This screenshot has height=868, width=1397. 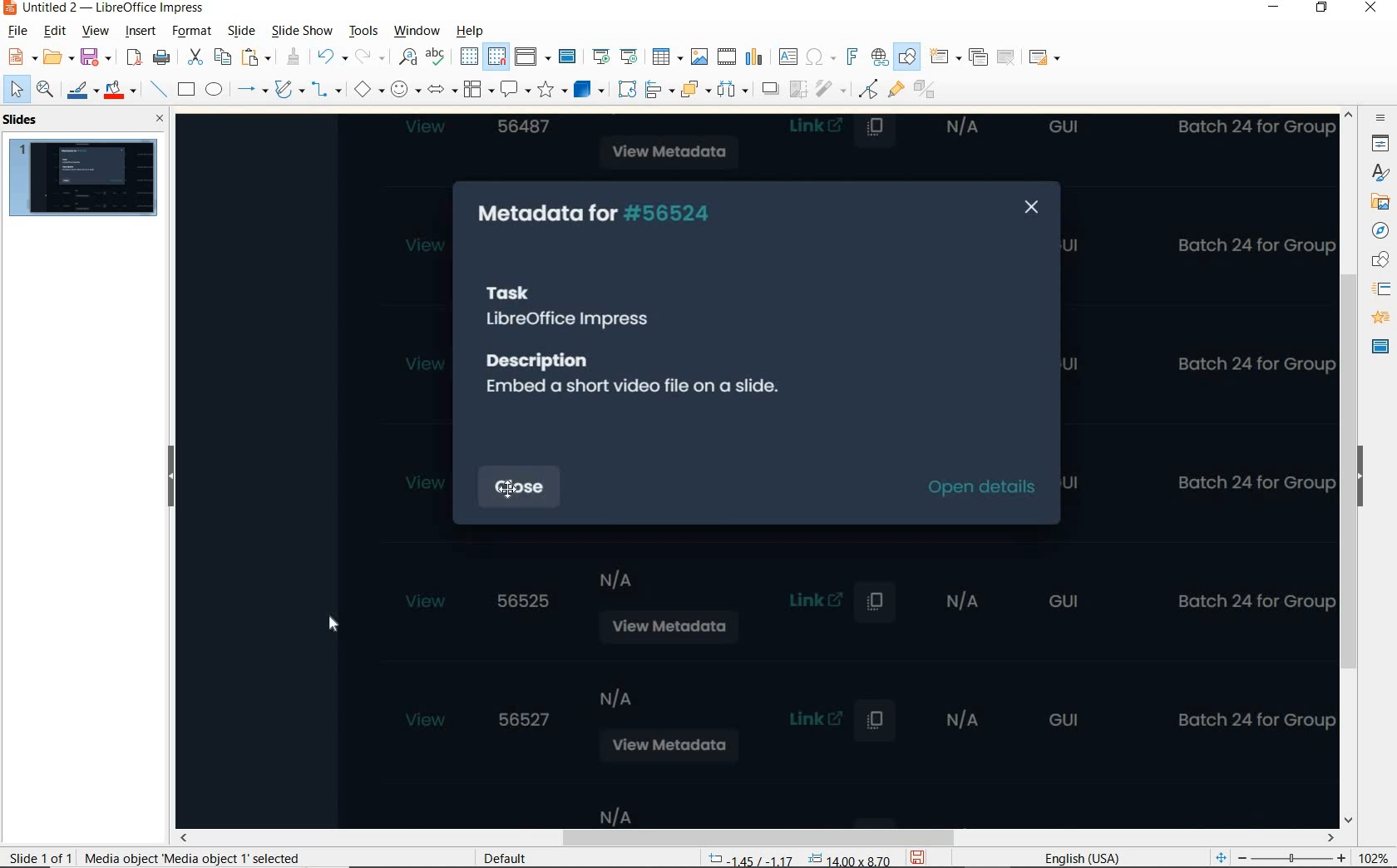 What do you see at coordinates (506, 856) in the screenshot?
I see `DEFAULT` at bounding box center [506, 856].